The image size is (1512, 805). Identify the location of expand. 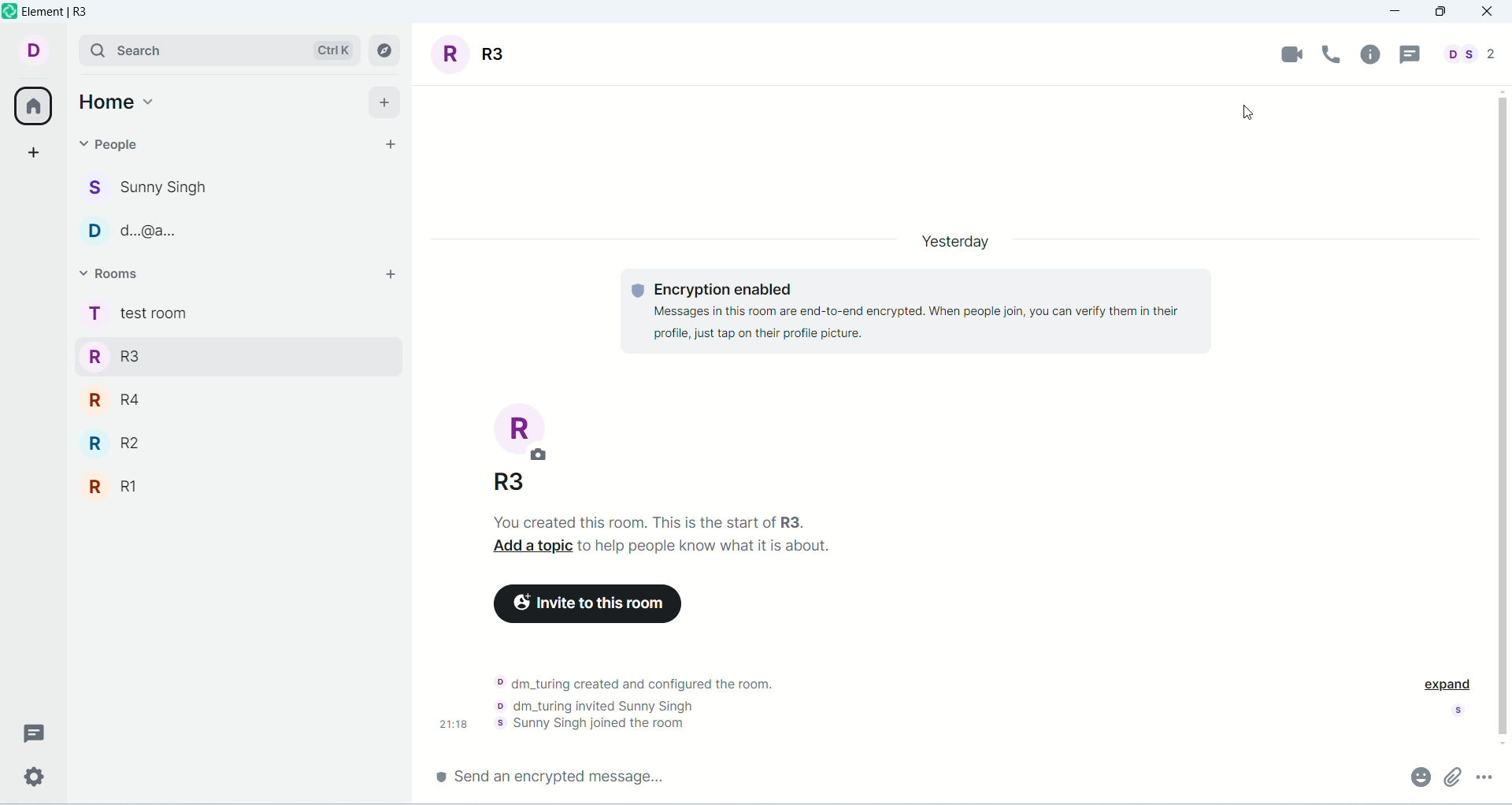
(1445, 684).